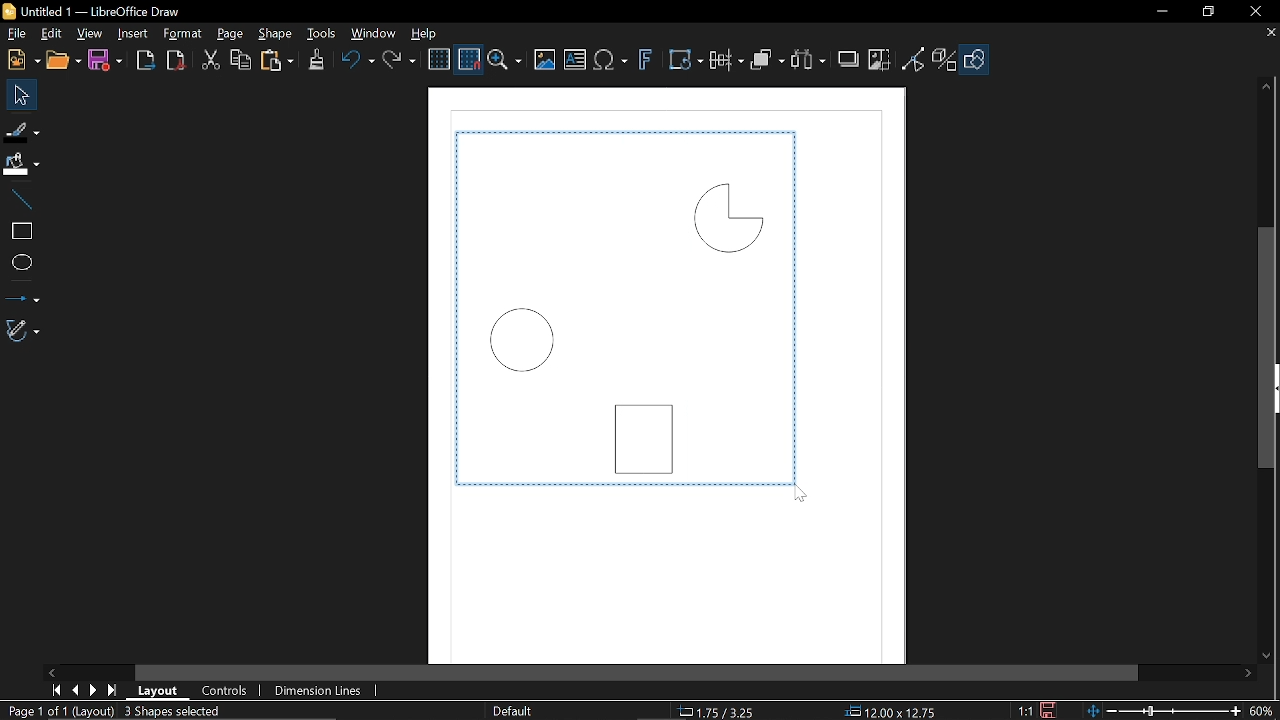 The height and width of the screenshot is (720, 1280). I want to click on Zoom, so click(1262, 711).